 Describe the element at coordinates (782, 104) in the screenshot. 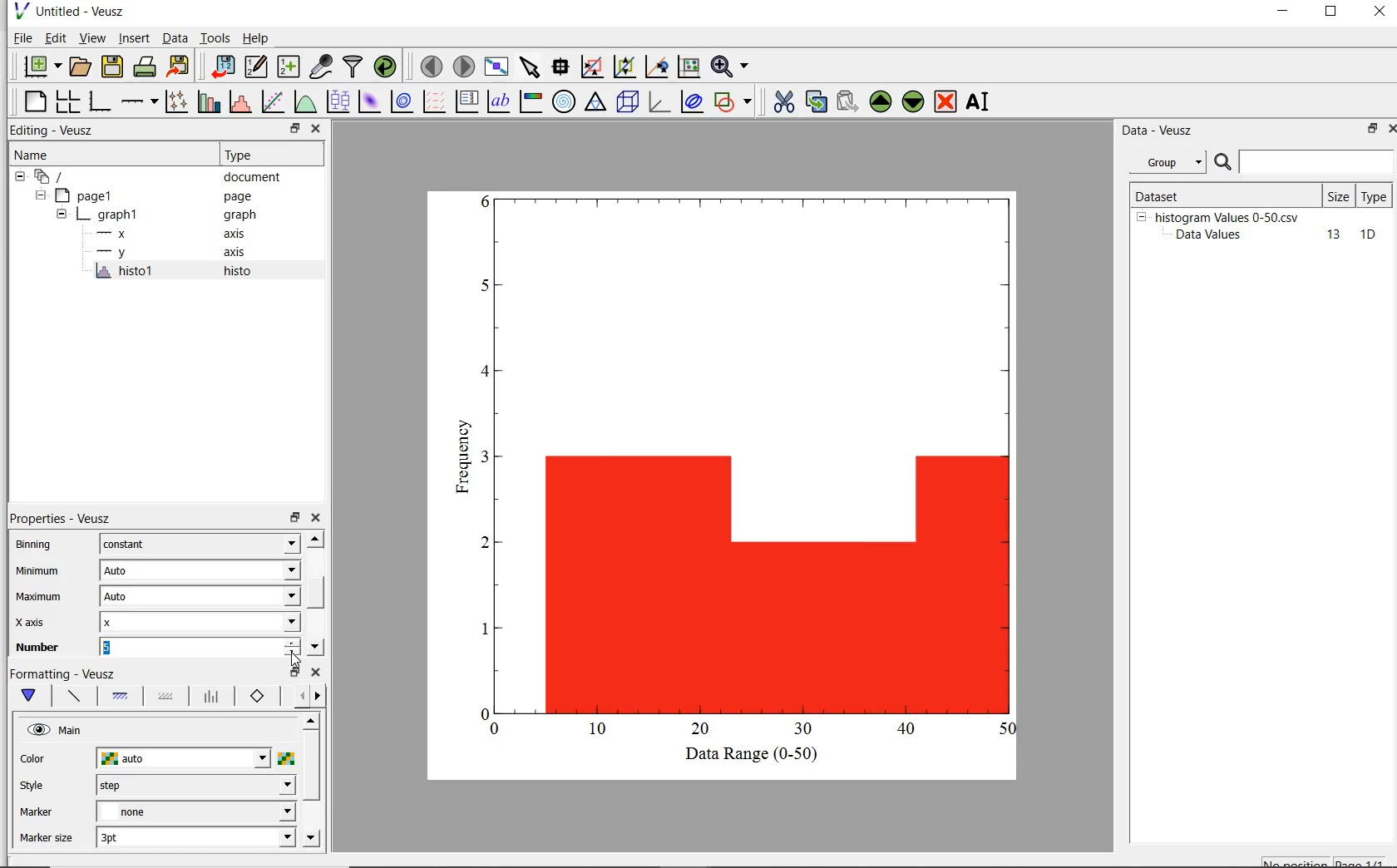

I see `cut the the selected widget` at that location.